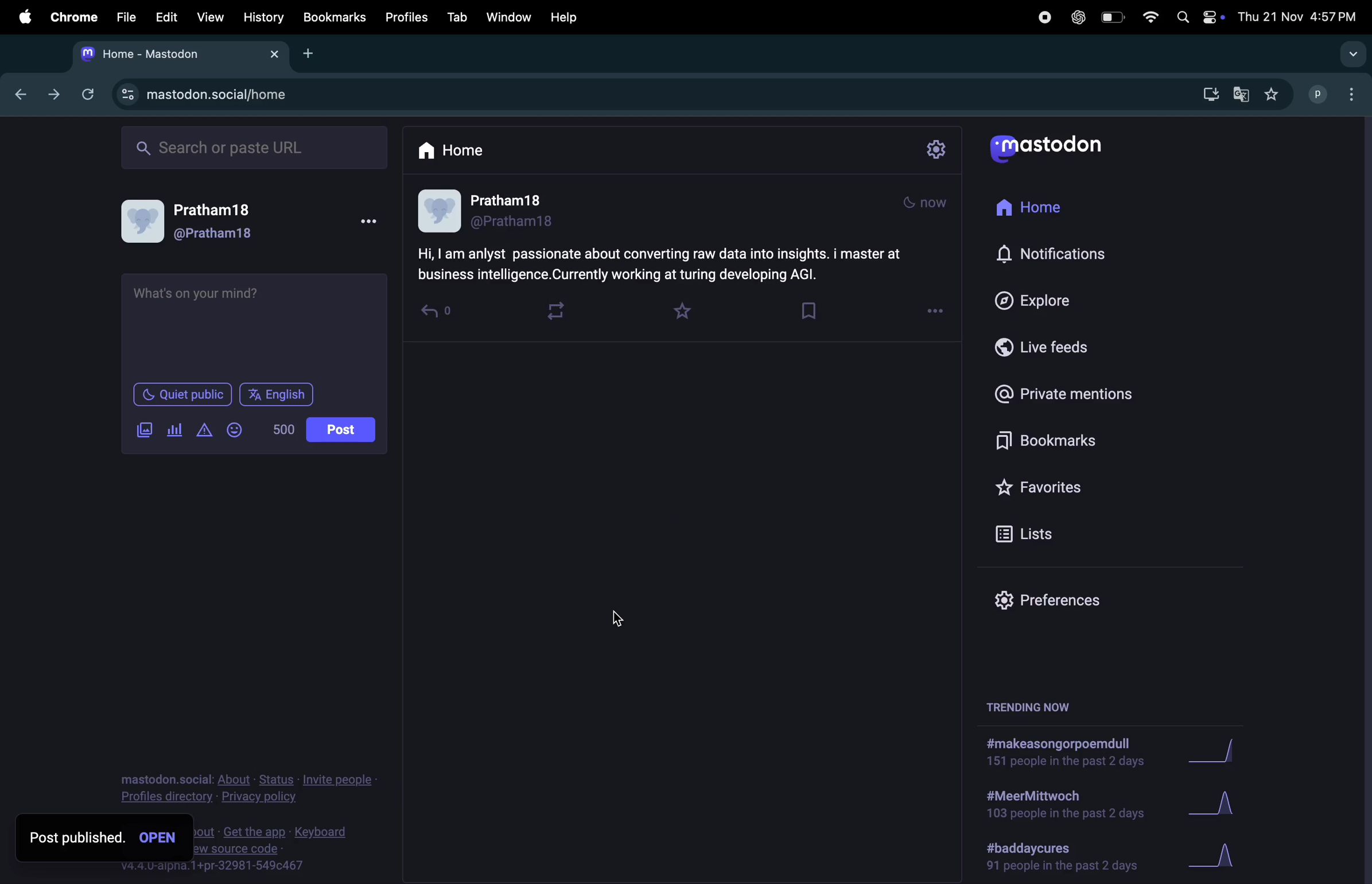 The image size is (1372, 884). Describe the element at coordinates (281, 394) in the screenshot. I see `language` at that location.